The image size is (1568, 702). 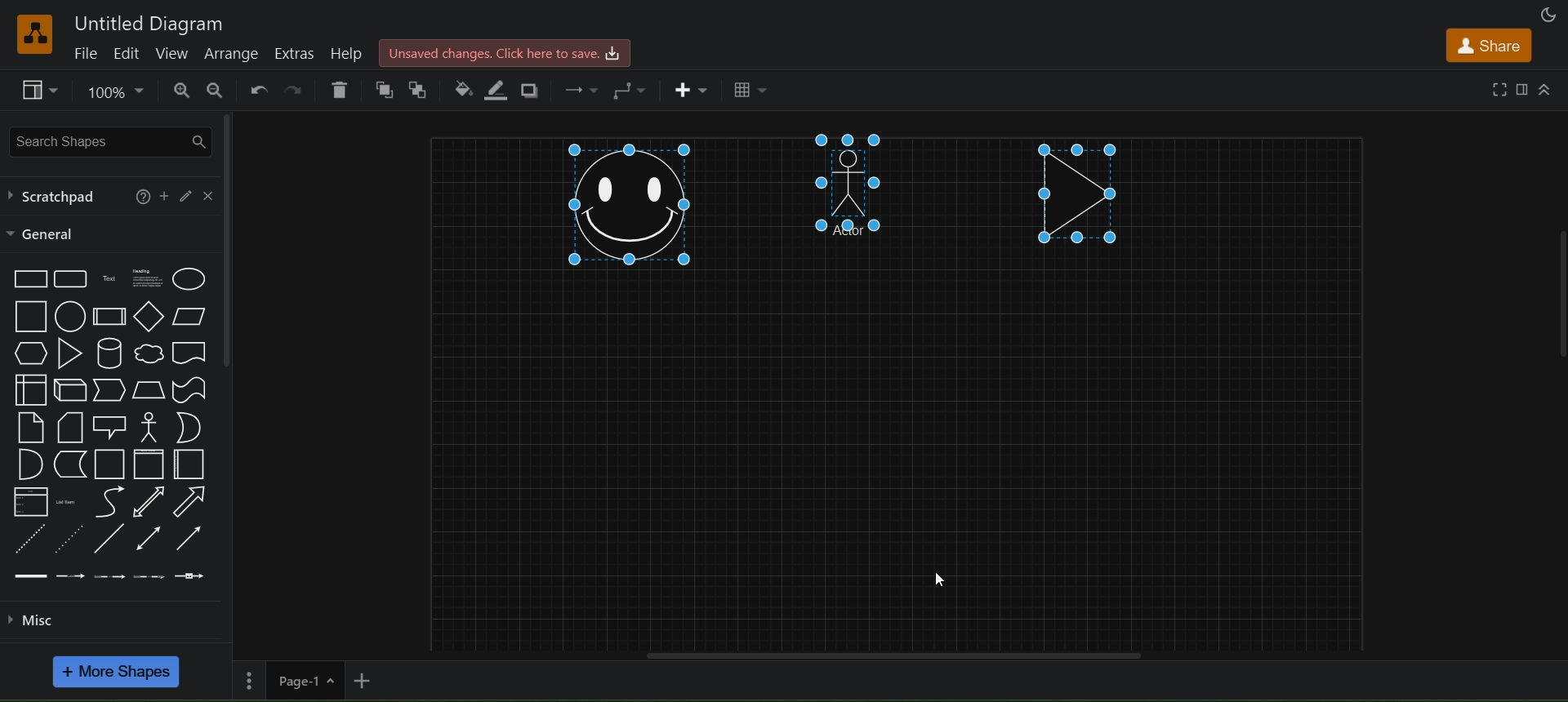 I want to click on curve, so click(x=109, y=501).